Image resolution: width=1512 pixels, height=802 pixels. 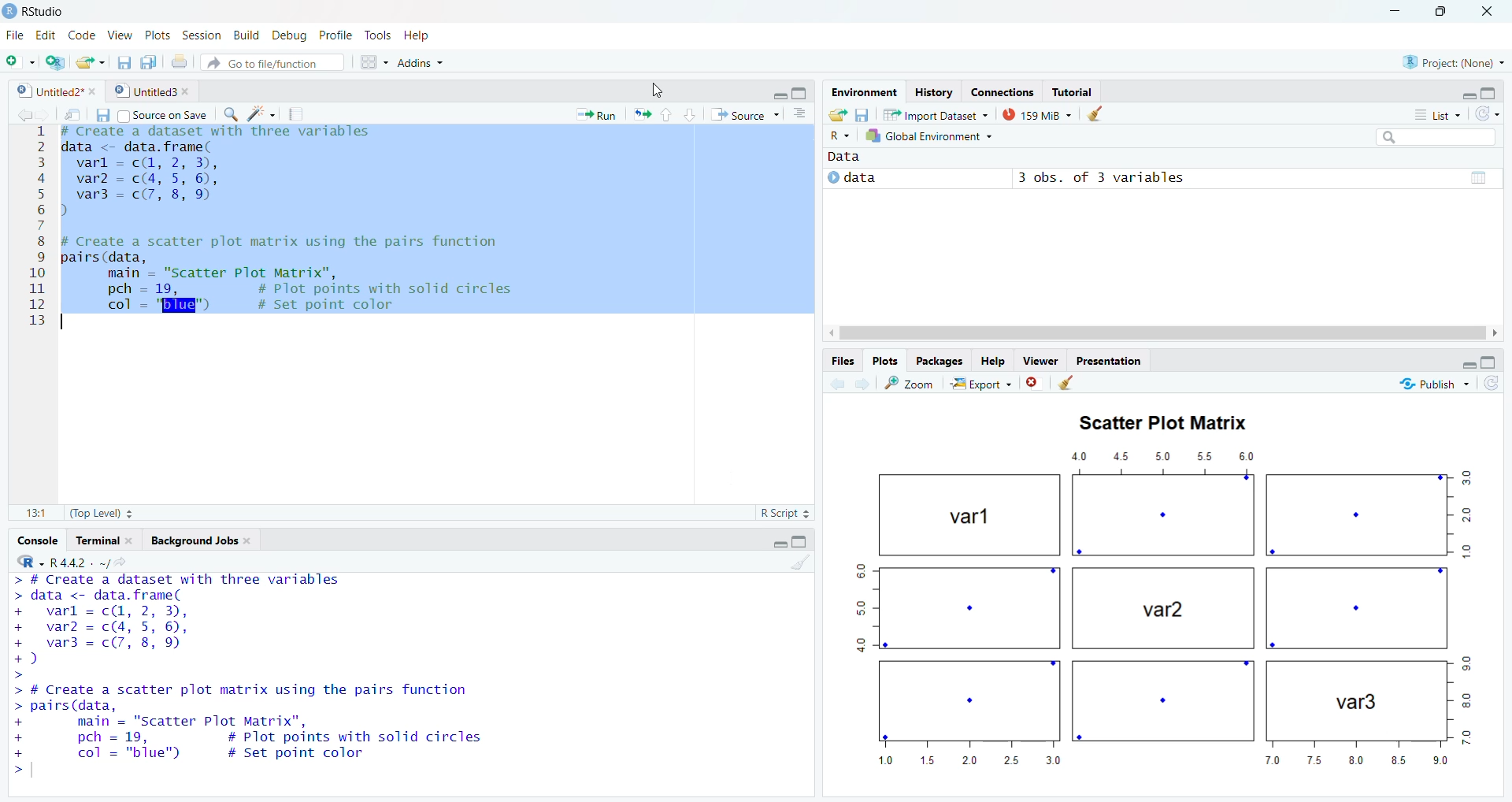 I want to click on @ Proiect: (None) ~, so click(x=1450, y=58).